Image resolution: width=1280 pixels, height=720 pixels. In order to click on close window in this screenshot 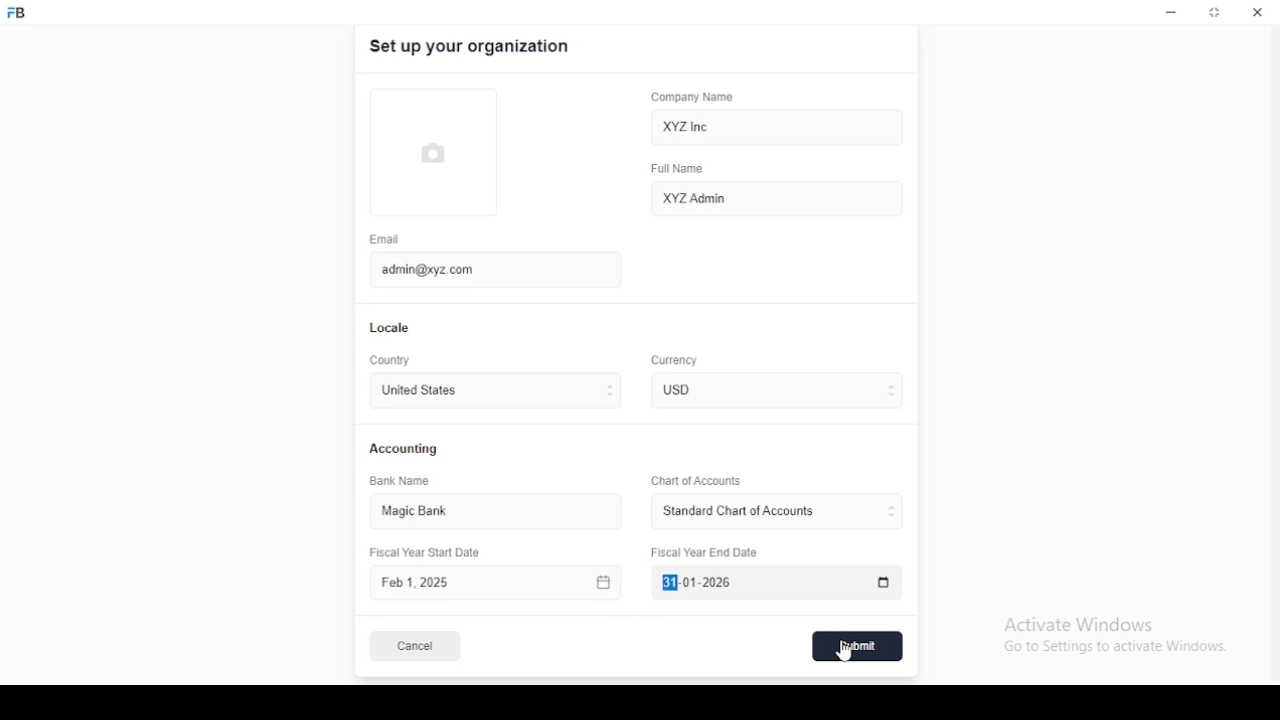, I will do `click(1255, 12)`.